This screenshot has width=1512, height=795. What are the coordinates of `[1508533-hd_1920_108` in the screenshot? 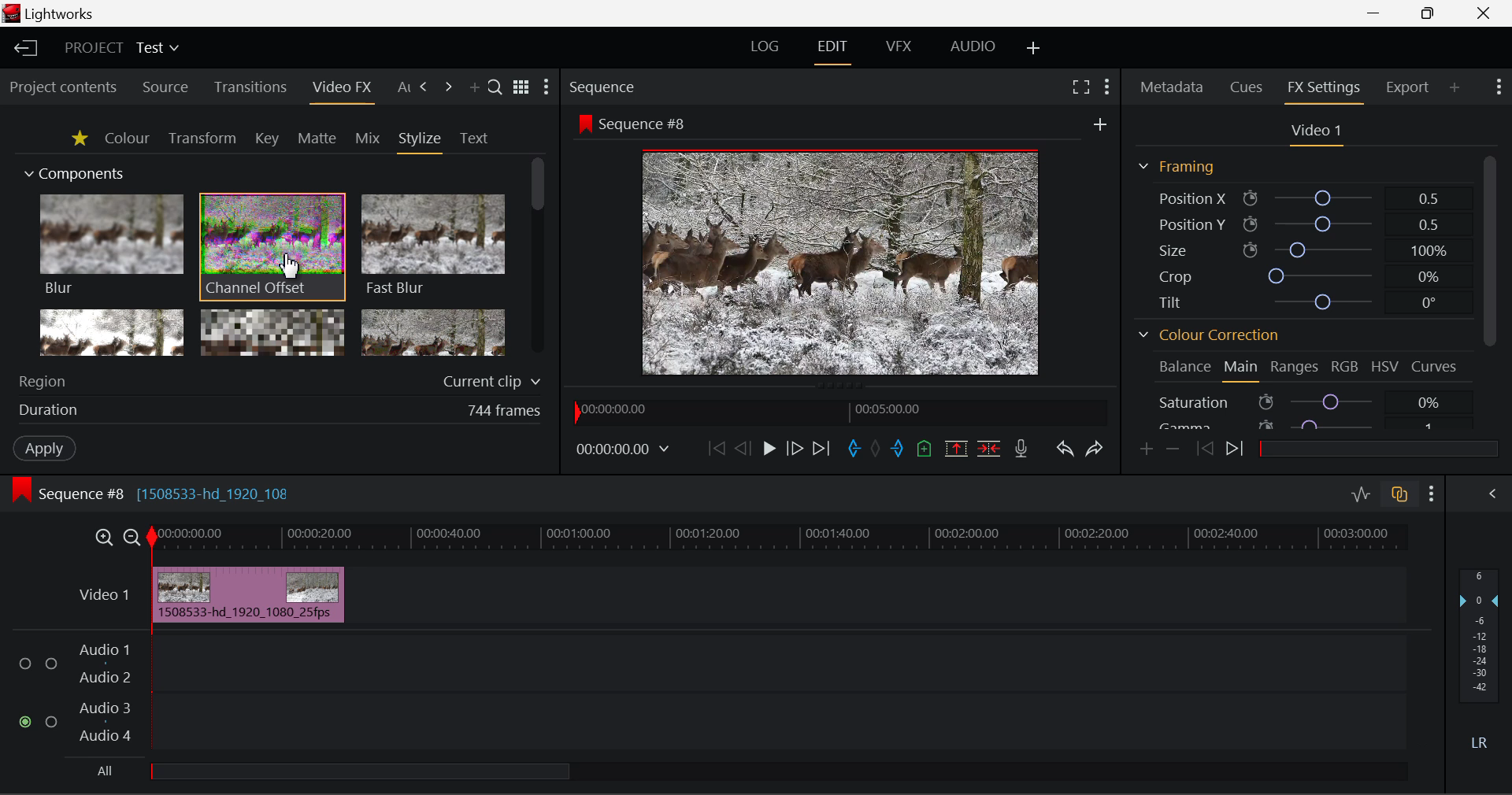 It's located at (235, 495).